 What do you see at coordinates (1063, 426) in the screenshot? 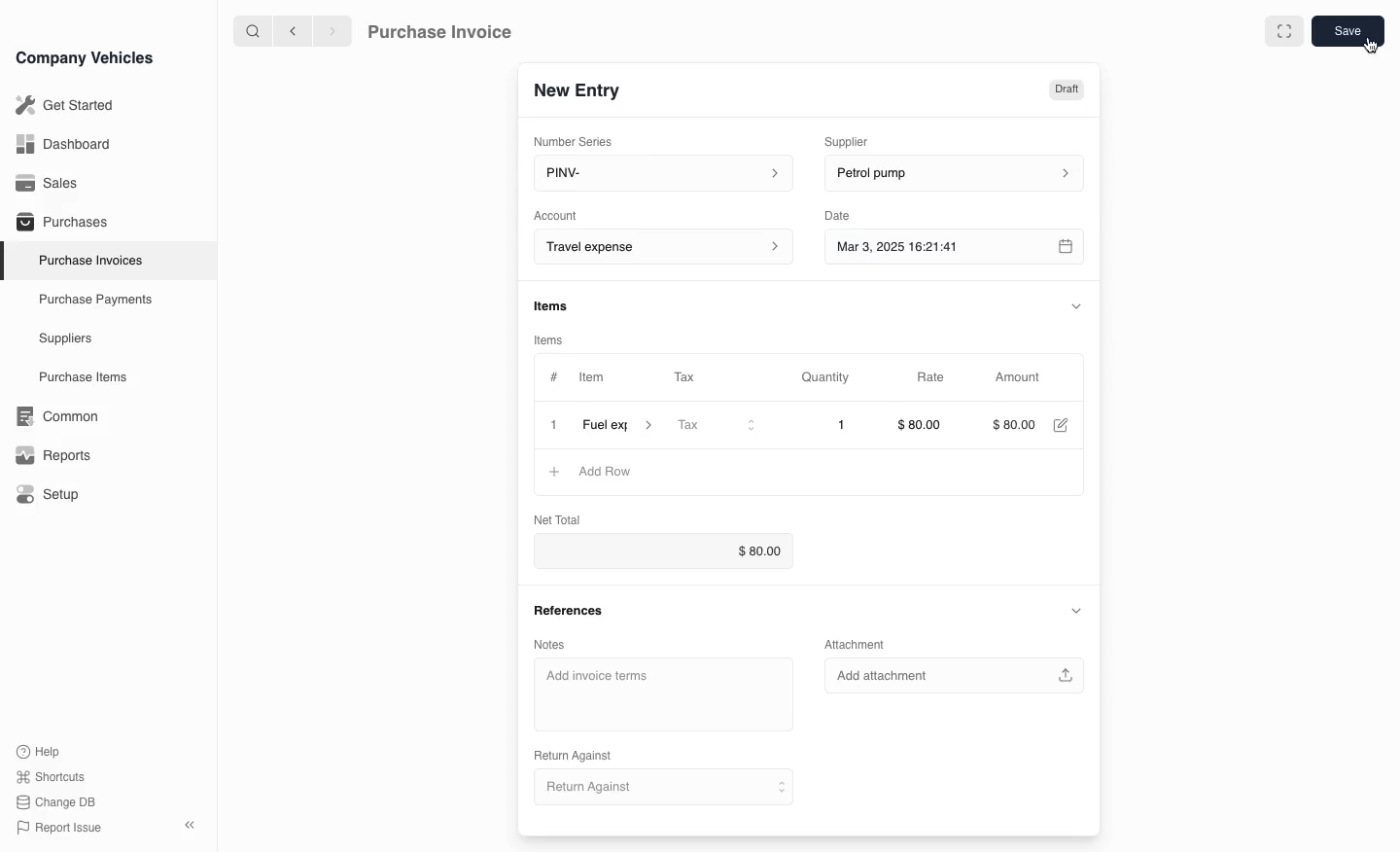
I see `edit` at bounding box center [1063, 426].